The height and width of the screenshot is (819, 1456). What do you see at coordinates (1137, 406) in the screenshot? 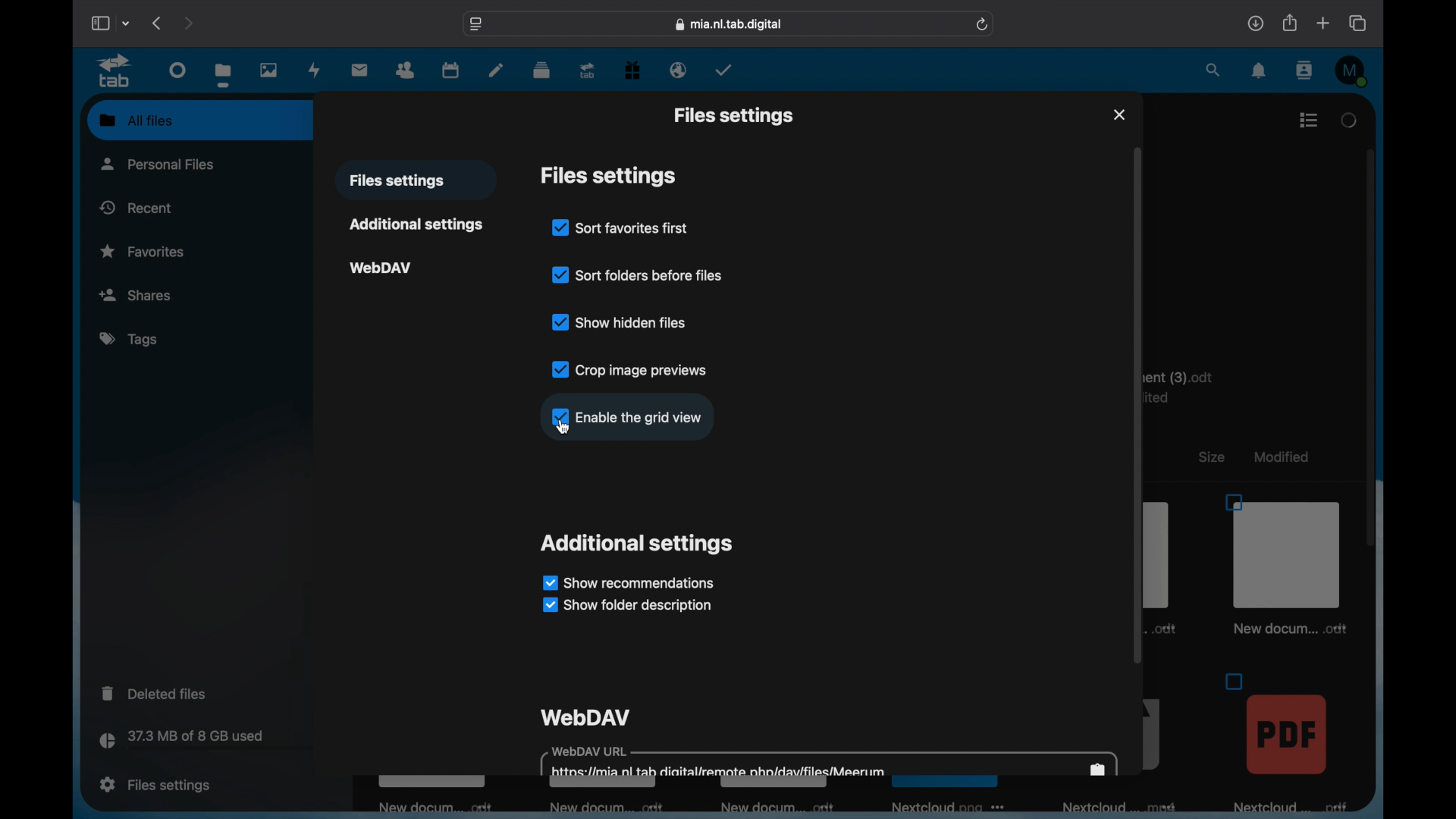
I see `scroll box` at bounding box center [1137, 406].